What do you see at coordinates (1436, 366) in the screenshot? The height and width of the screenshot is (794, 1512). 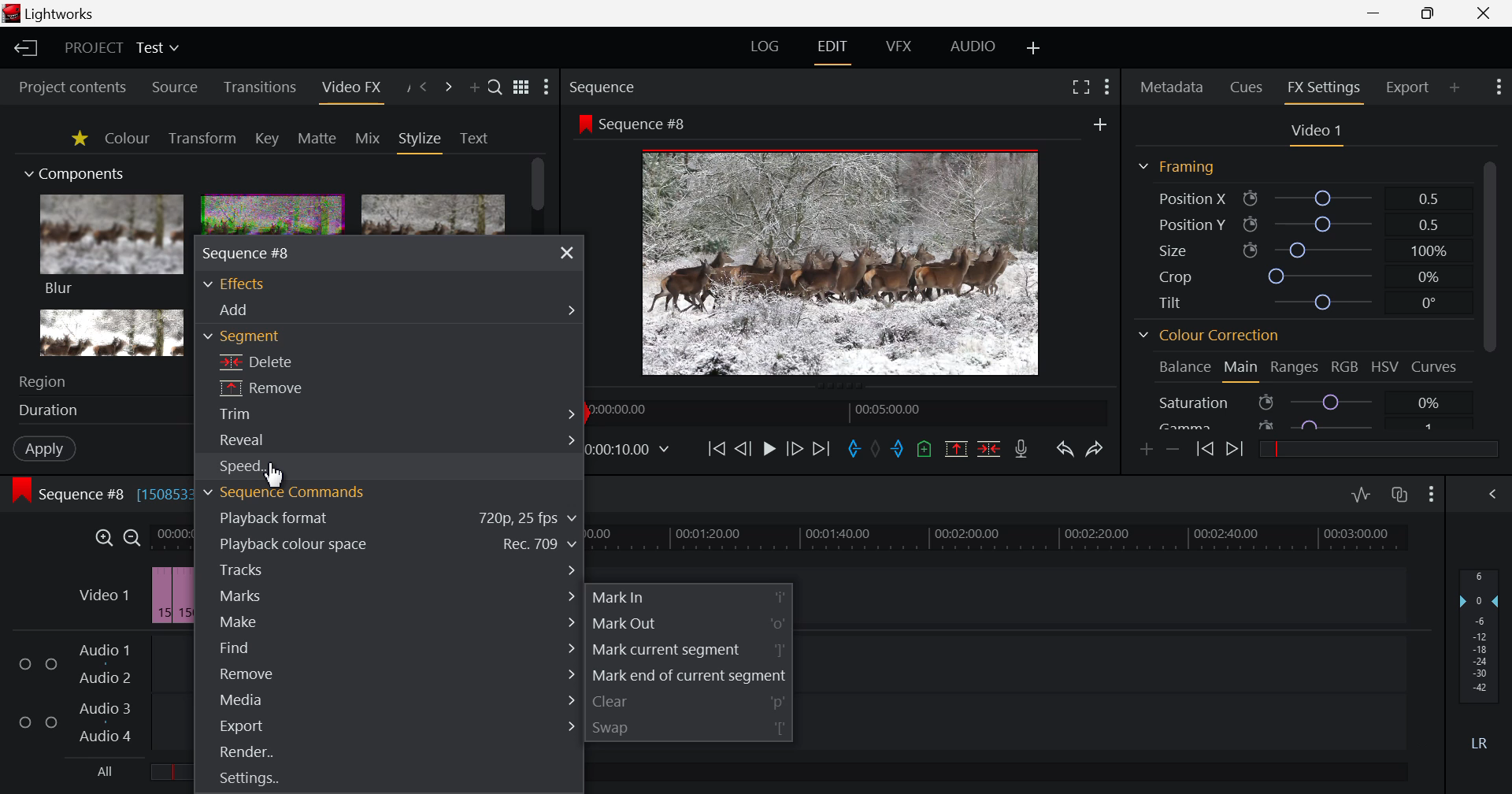 I see `Curves` at bounding box center [1436, 366].